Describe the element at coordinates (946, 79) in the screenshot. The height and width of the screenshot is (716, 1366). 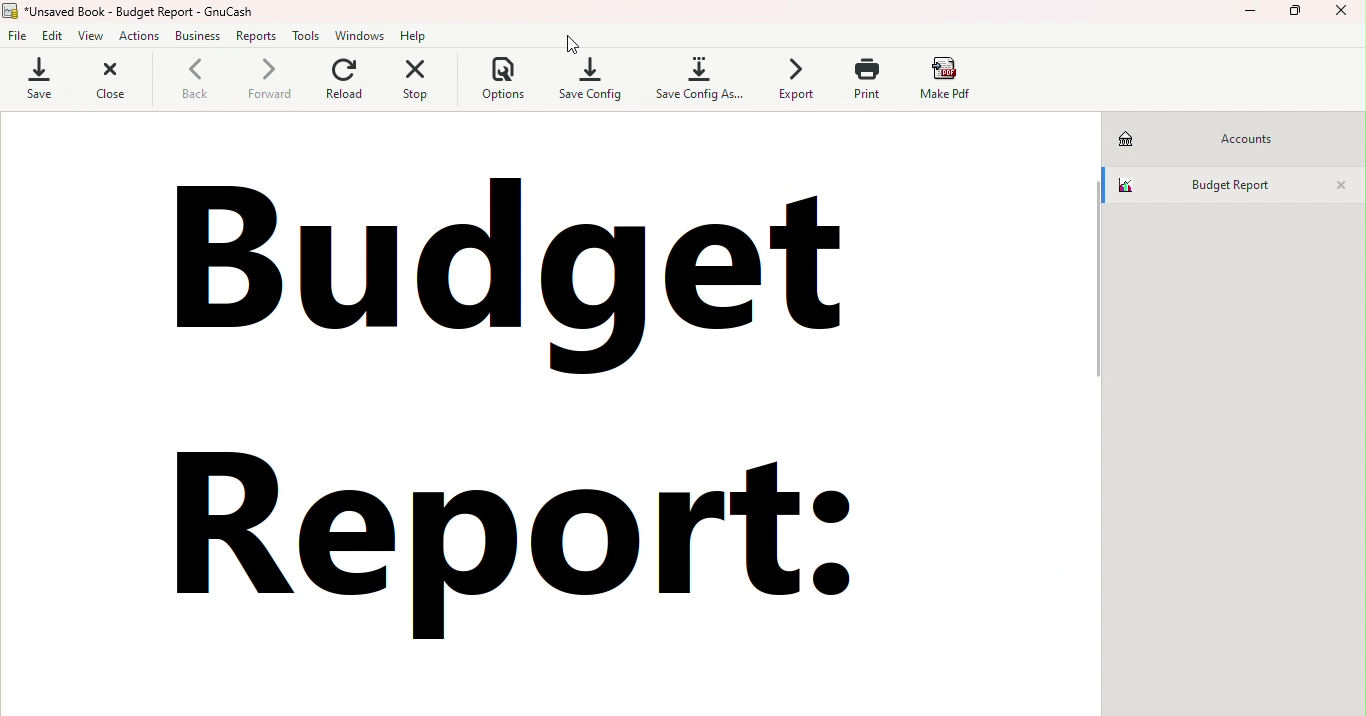
I see `Make pdf` at that location.